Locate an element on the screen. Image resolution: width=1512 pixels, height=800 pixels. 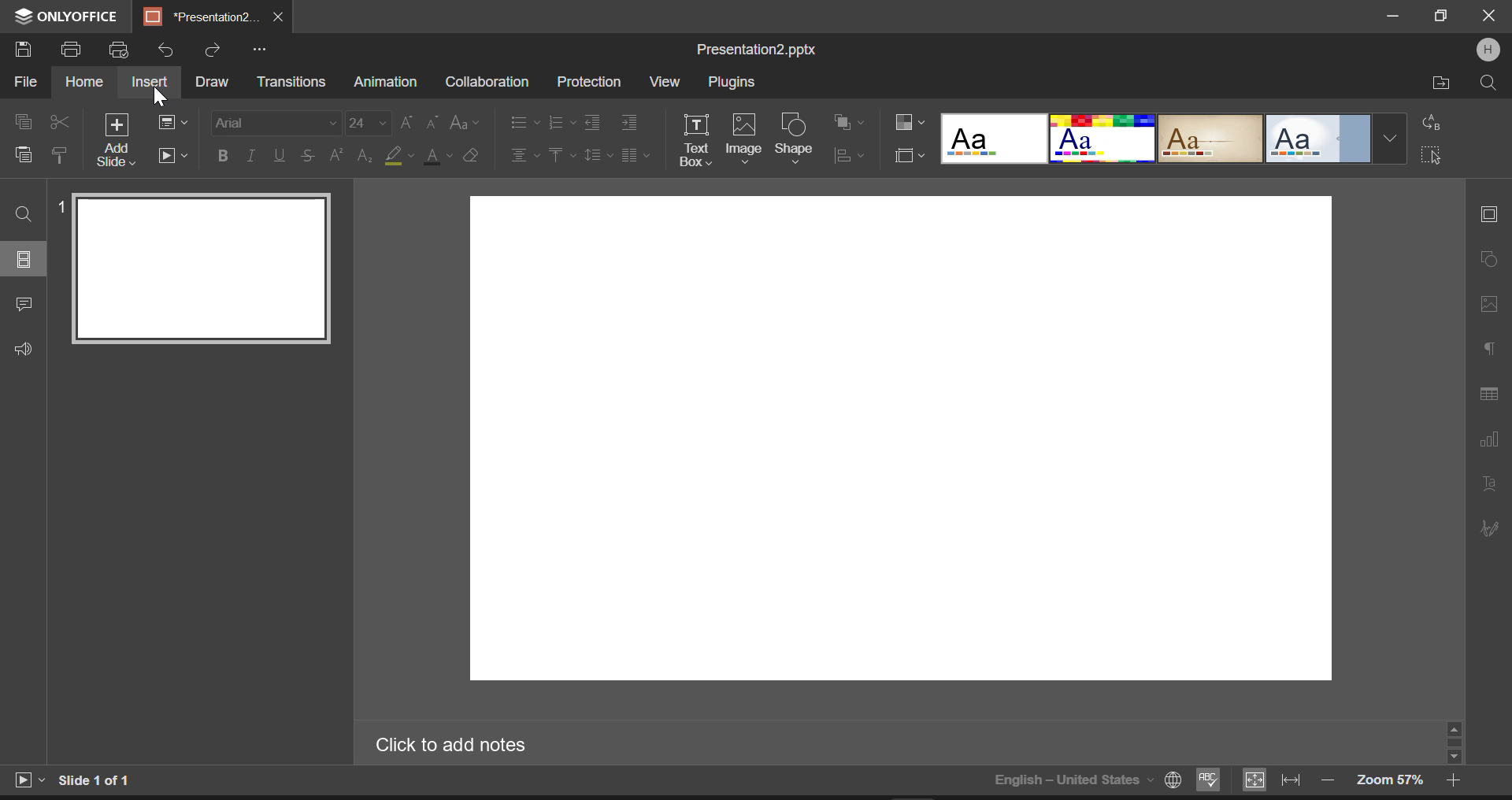
Presentation2.pptx is located at coordinates (762, 50).